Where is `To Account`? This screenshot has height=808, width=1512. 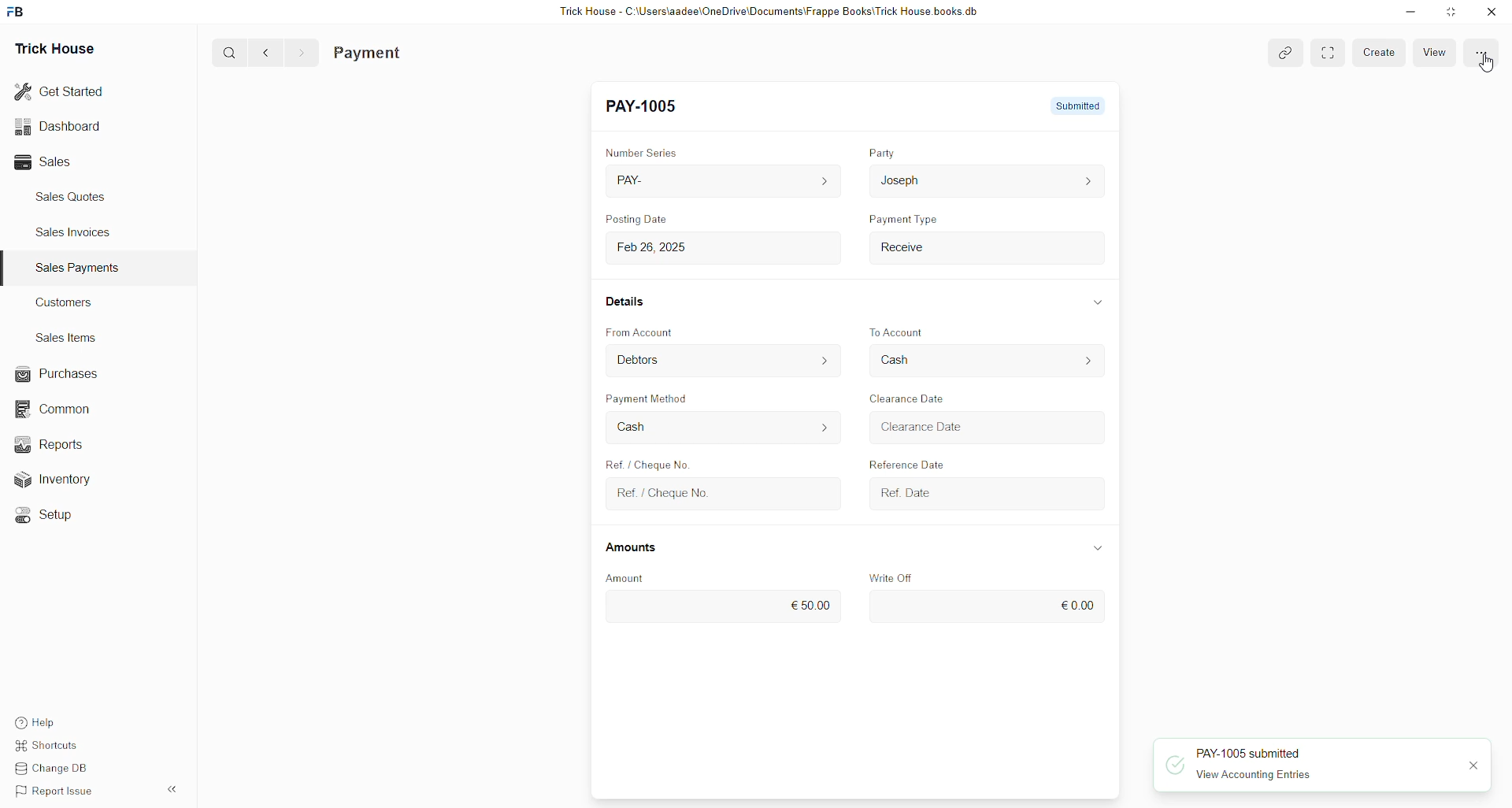
To Account is located at coordinates (981, 360).